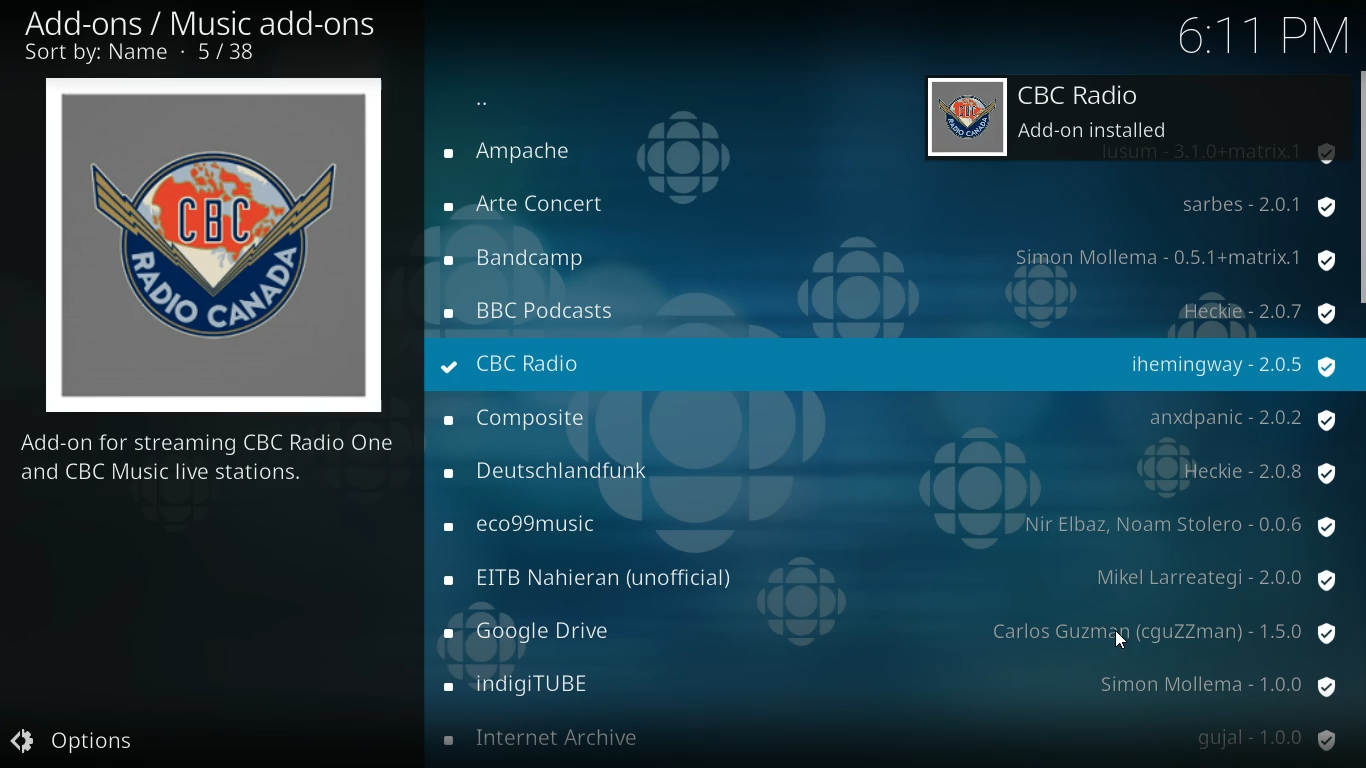 The height and width of the screenshot is (768, 1366). I want to click on radio name, so click(514, 151).